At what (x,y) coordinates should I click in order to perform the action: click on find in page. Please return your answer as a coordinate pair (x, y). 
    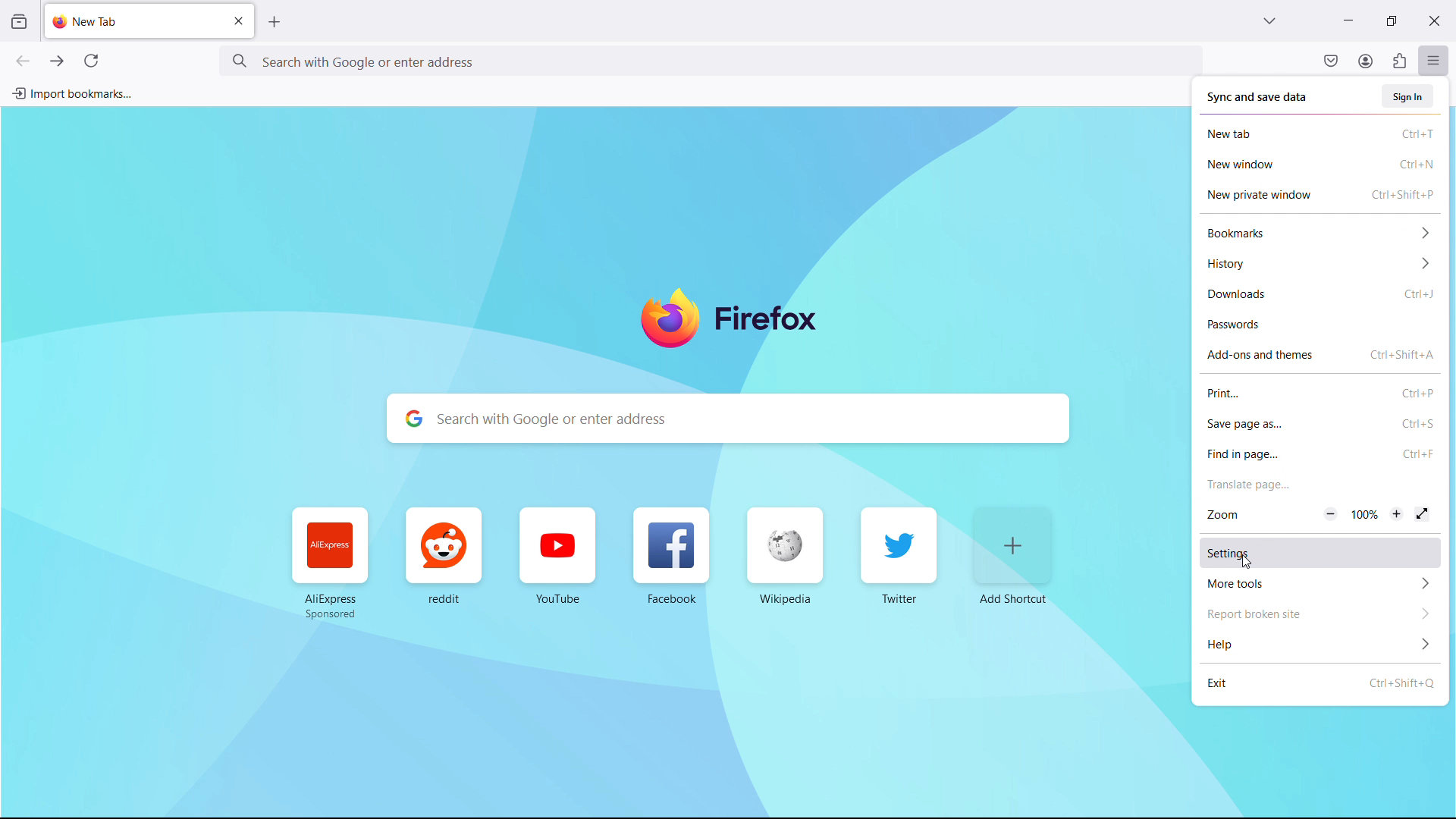
    Looking at the image, I should click on (1321, 454).